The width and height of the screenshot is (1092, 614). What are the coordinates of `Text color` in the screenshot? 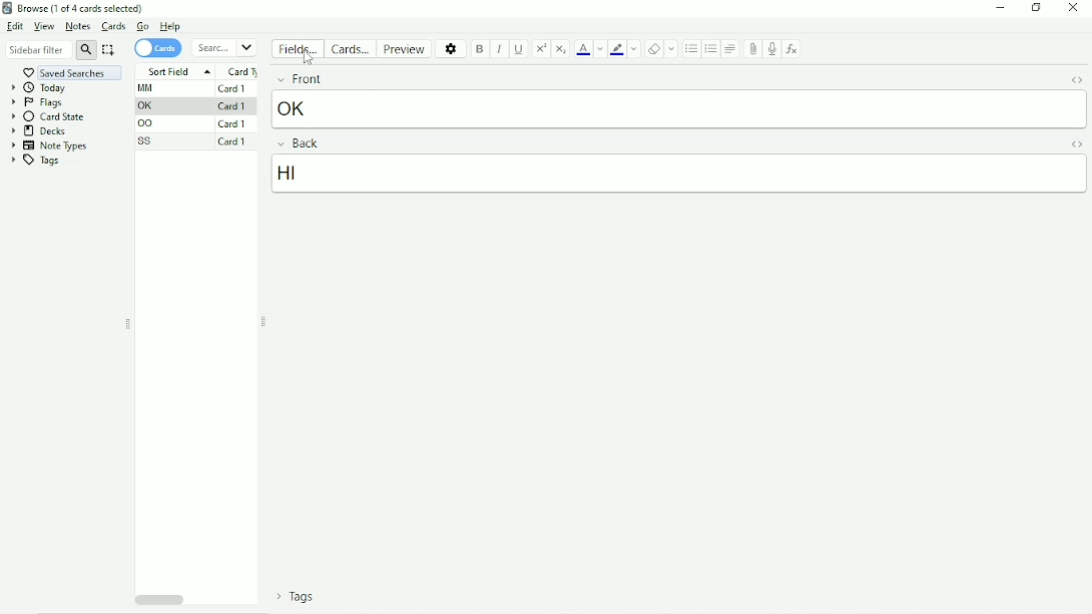 It's located at (584, 49).